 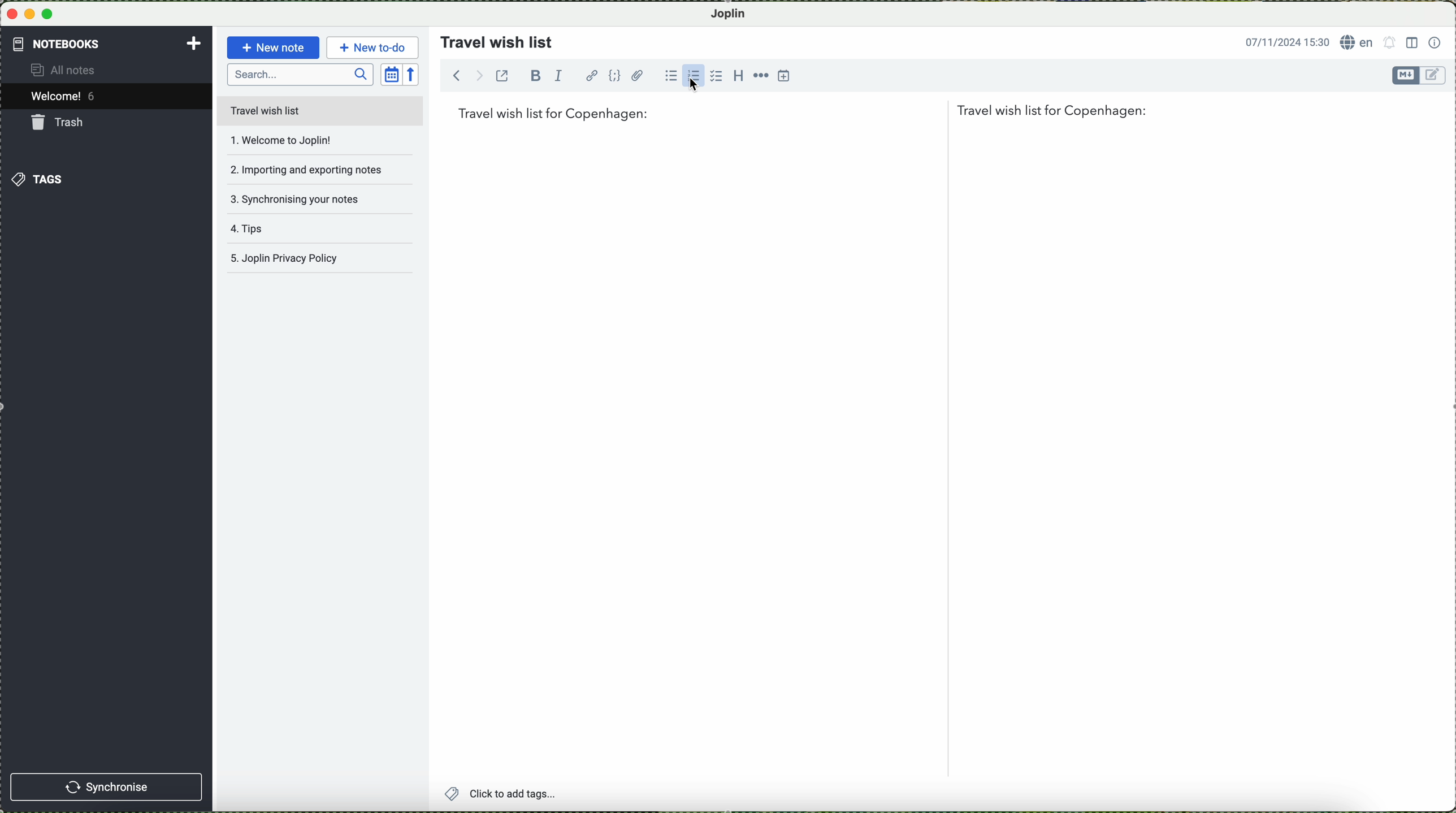 What do you see at coordinates (317, 261) in the screenshot?
I see `Joplin privacy policy` at bounding box center [317, 261].